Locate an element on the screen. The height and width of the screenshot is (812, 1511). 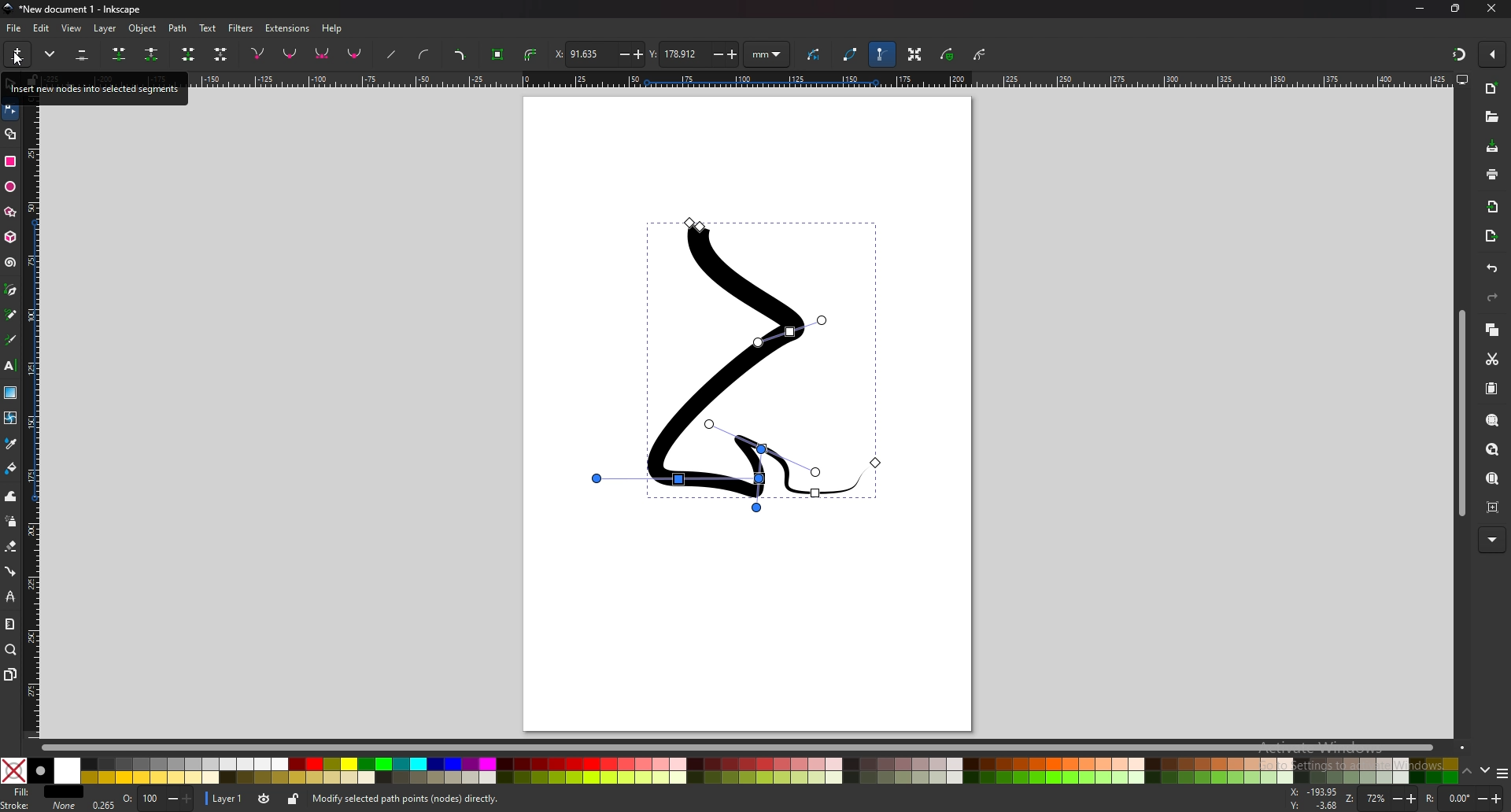
lpe is located at coordinates (10, 597).